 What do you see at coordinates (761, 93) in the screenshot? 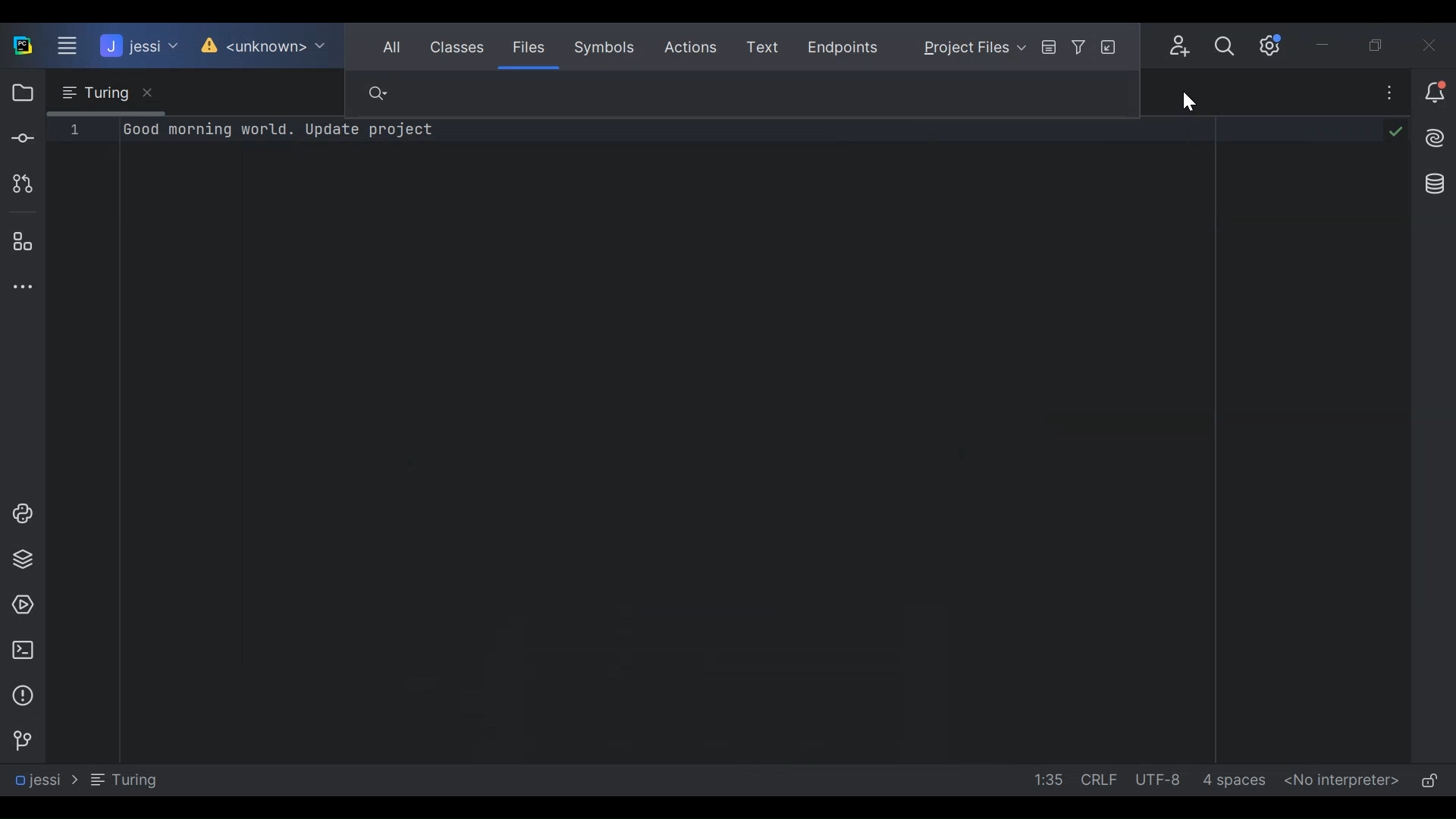
I see `Find` at bounding box center [761, 93].